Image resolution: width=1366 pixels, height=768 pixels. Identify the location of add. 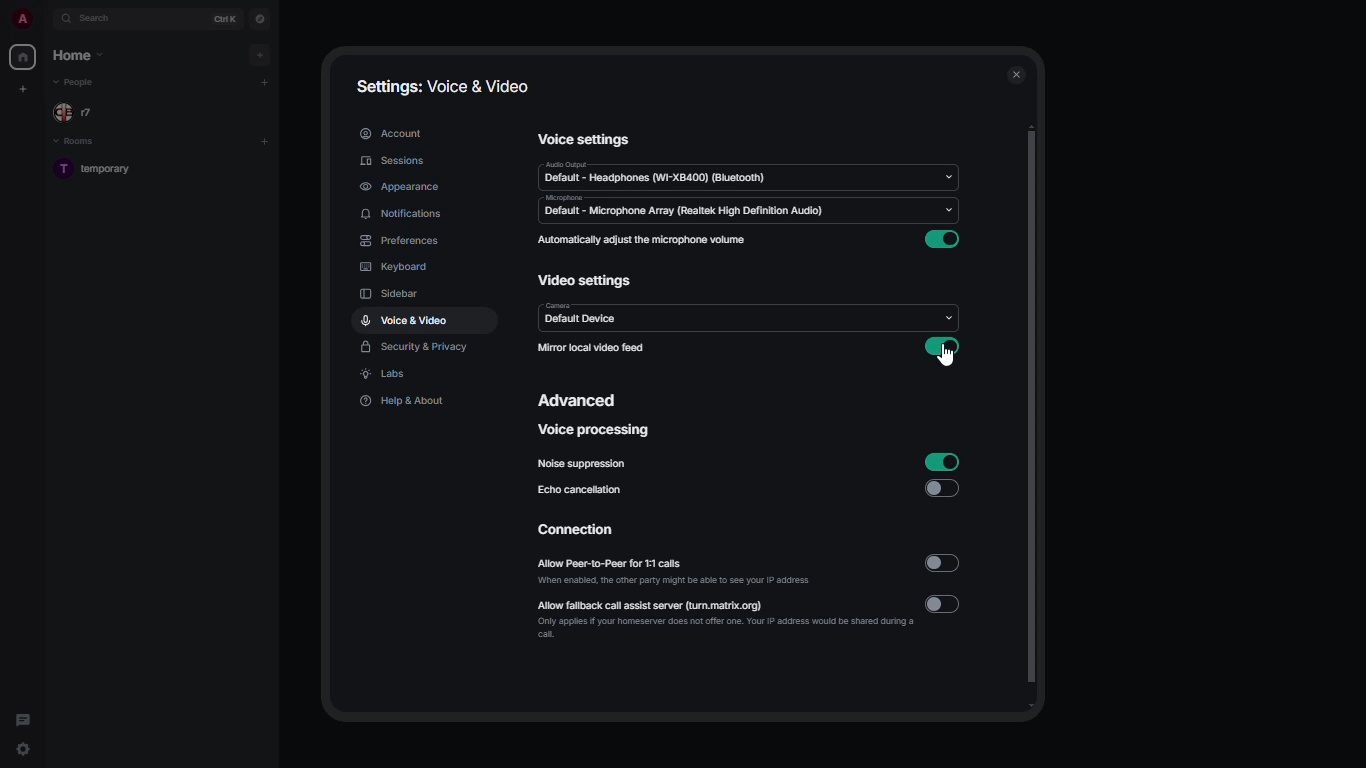
(265, 82).